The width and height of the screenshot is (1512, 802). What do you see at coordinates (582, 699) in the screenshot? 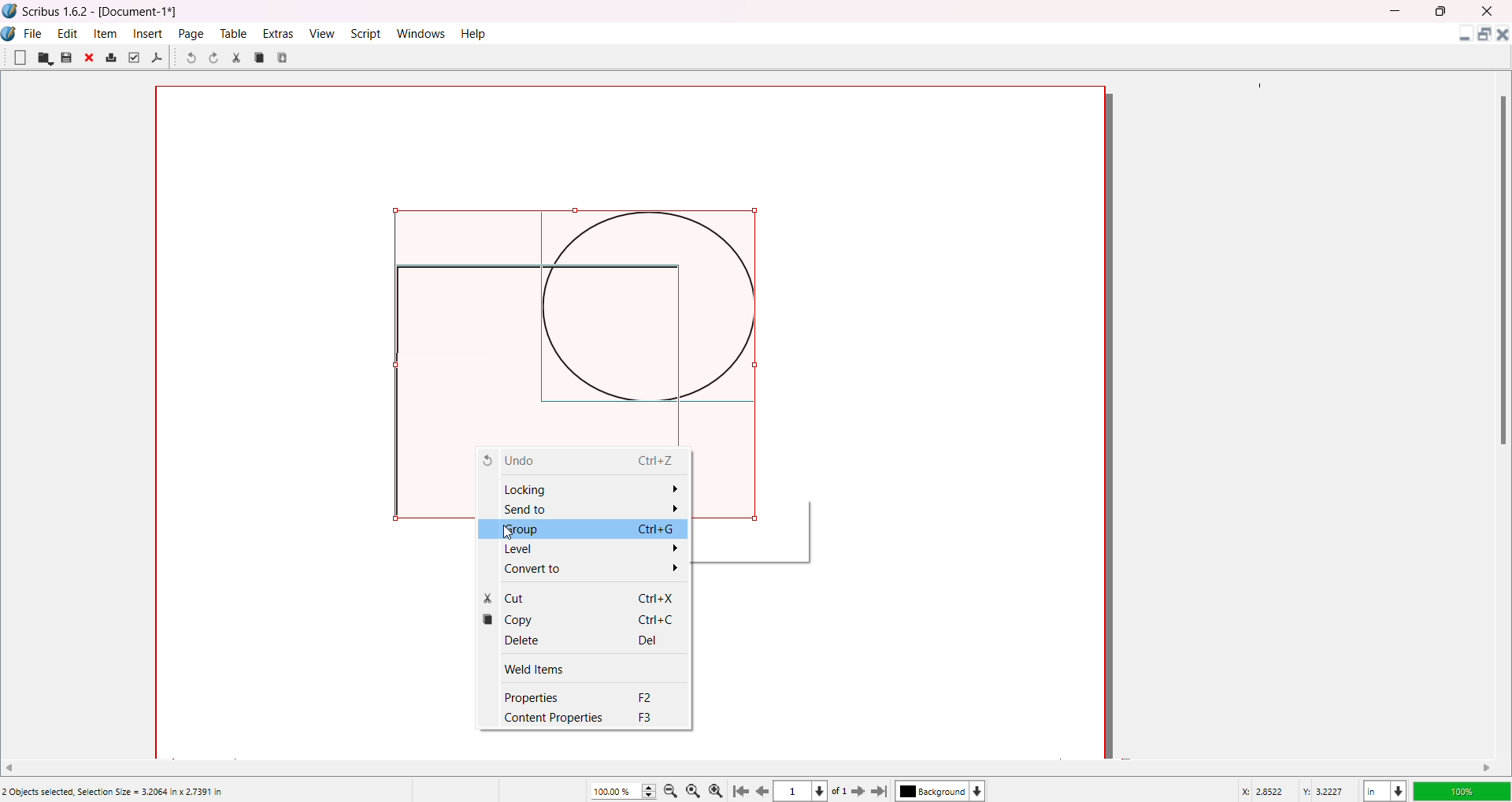
I see `Properties` at bounding box center [582, 699].